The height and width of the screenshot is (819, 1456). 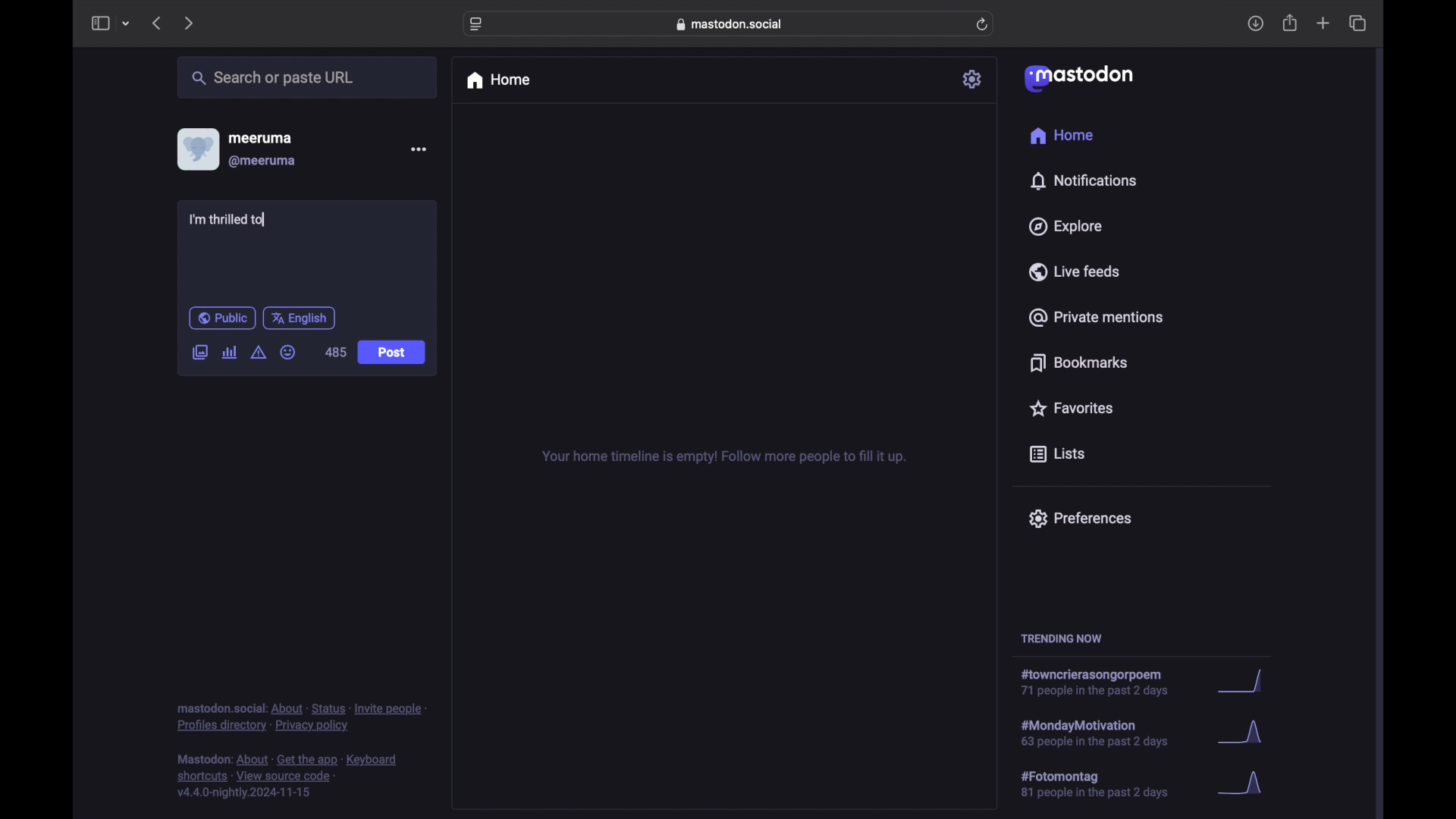 What do you see at coordinates (231, 353) in the screenshot?
I see `add poll` at bounding box center [231, 353].